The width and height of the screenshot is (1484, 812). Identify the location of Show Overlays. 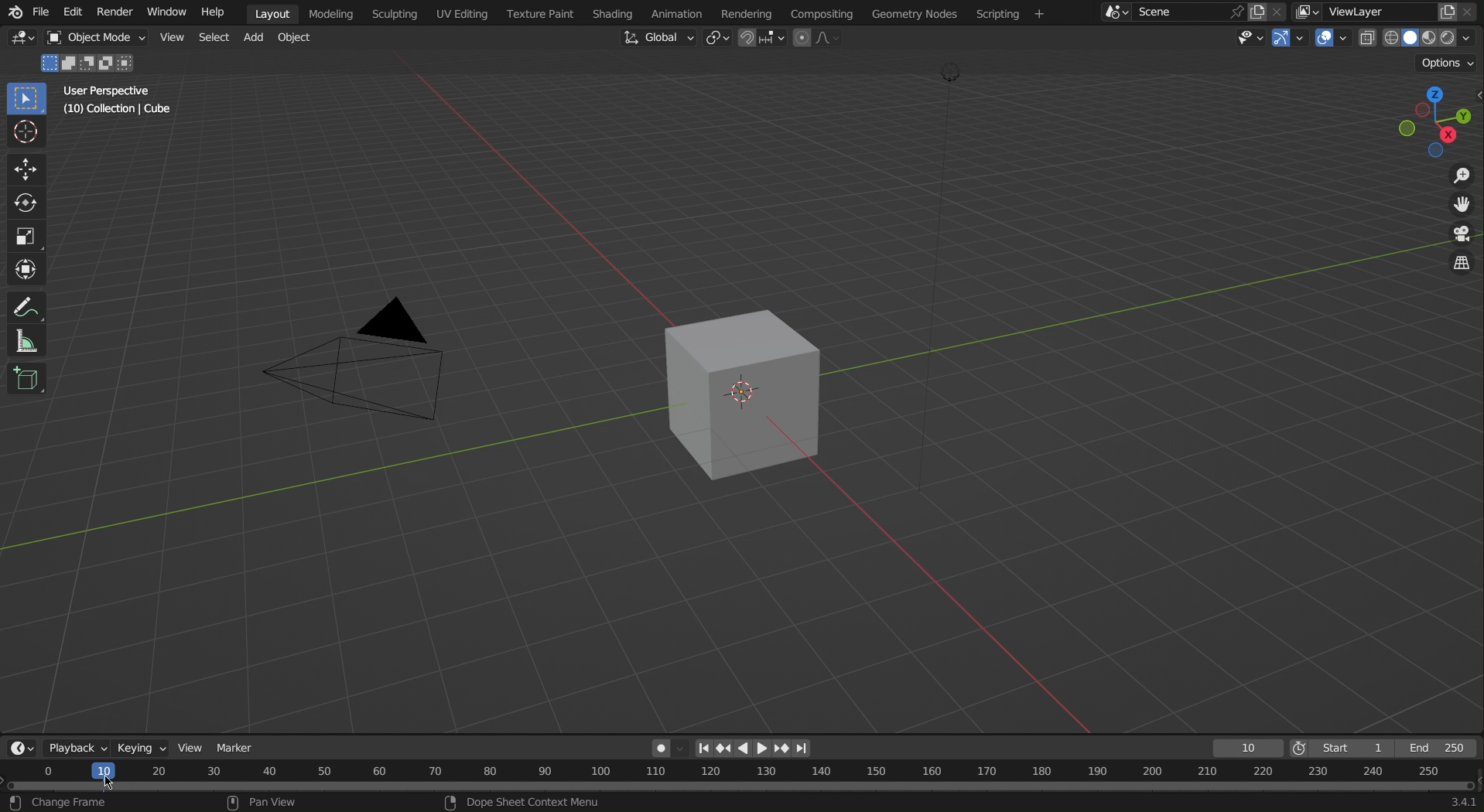
(1335, 38).